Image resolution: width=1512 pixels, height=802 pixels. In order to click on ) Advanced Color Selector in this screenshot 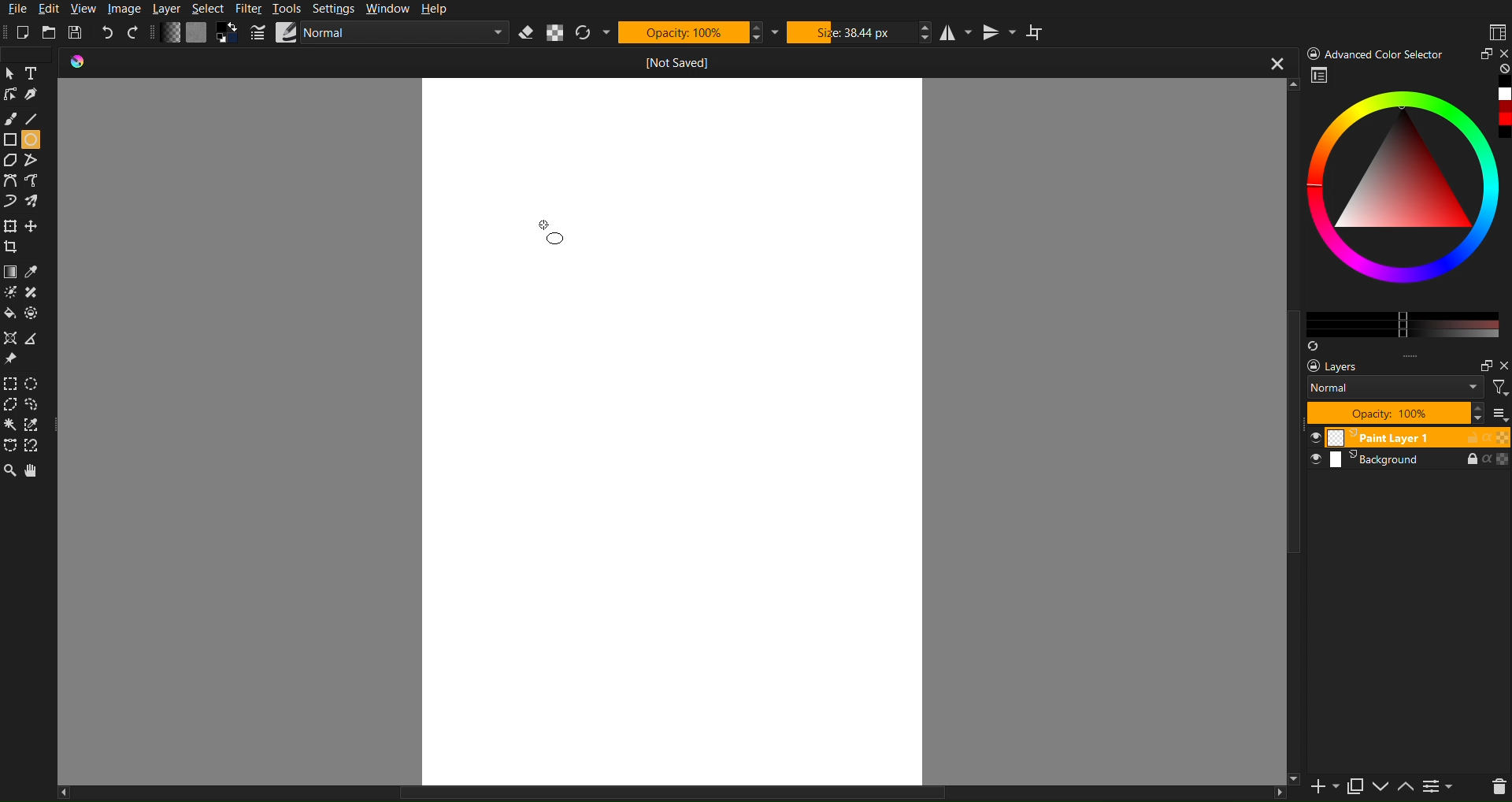, I will do `click(1369, 50)`.